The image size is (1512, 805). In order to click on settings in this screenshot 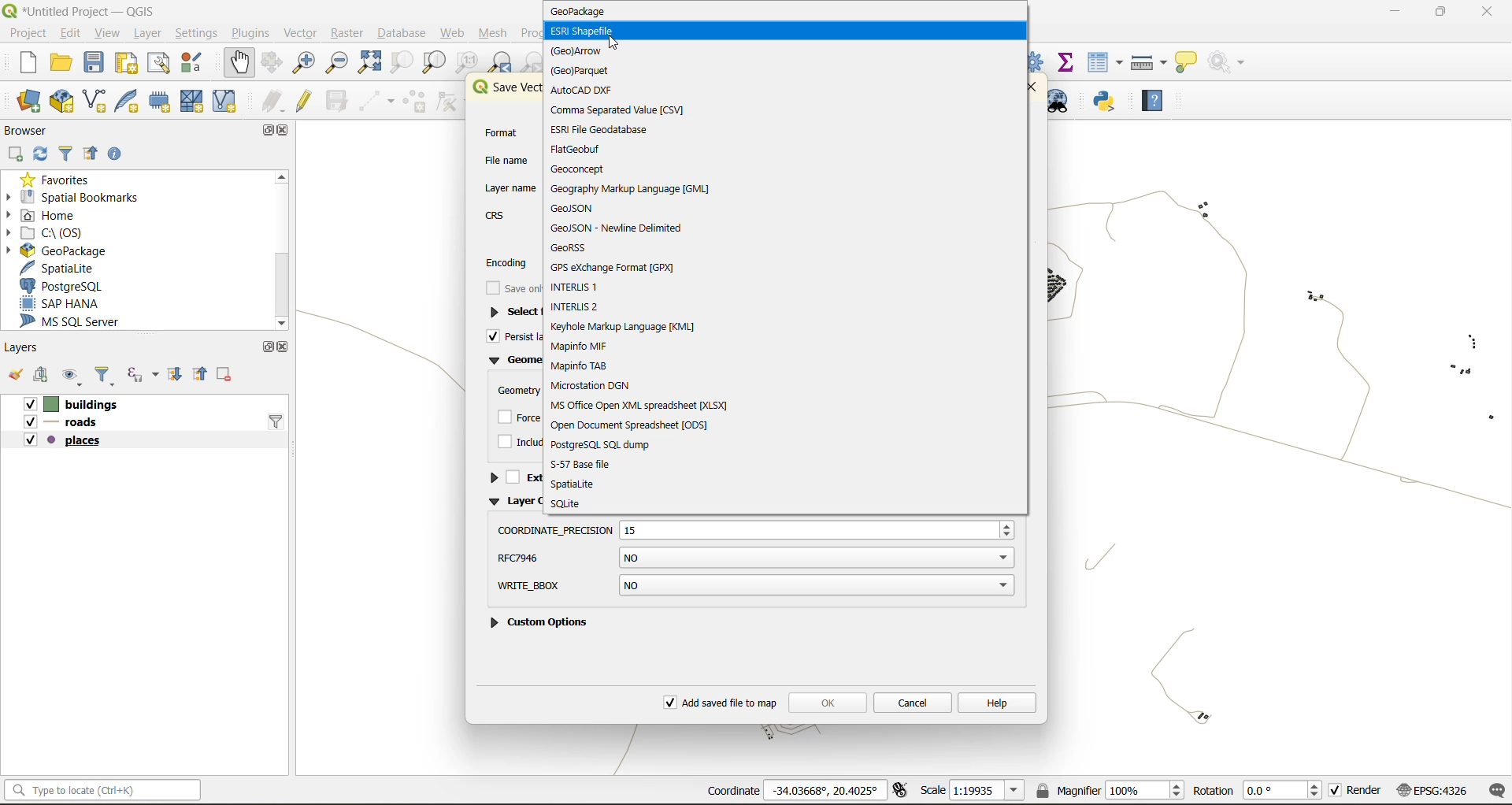, I will do `click(198, 31)`.